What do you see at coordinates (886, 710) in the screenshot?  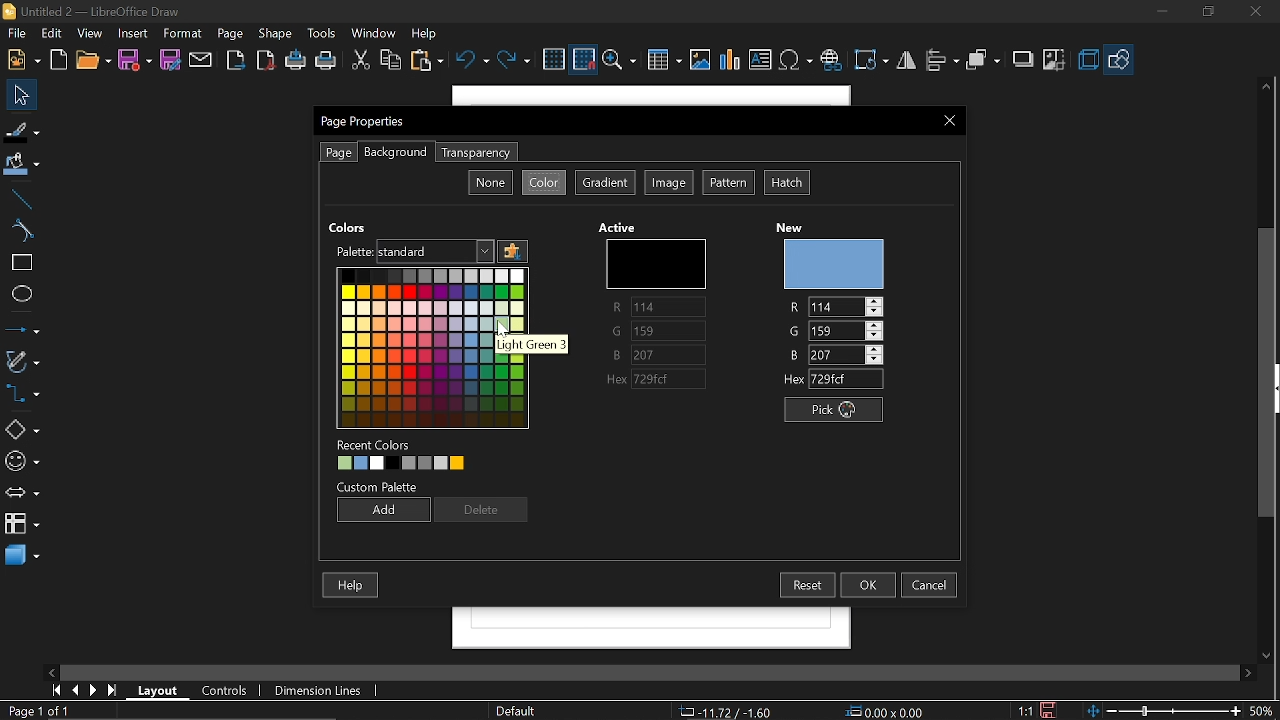 I see `Position` at bounding box center [886, 710].